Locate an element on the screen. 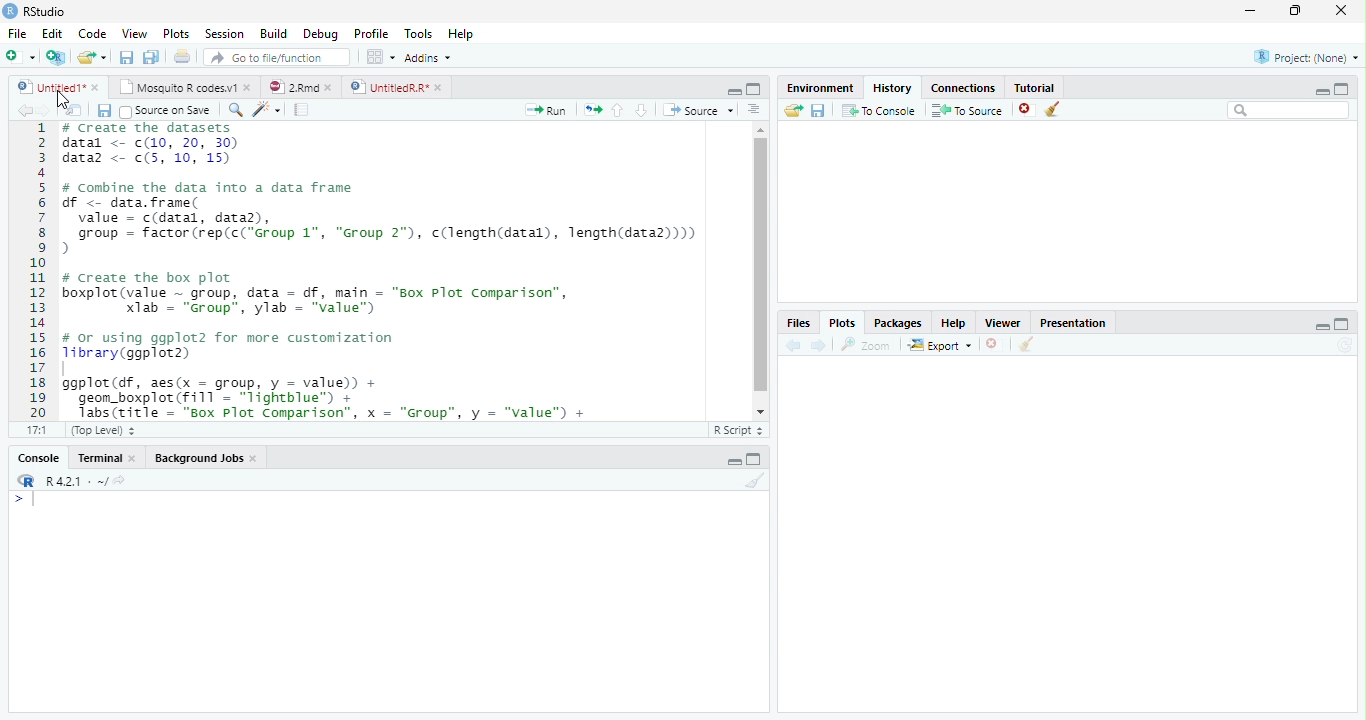 The height and width of the screenshot is (720, 1366). Tools is located at coordinates (418, 32).